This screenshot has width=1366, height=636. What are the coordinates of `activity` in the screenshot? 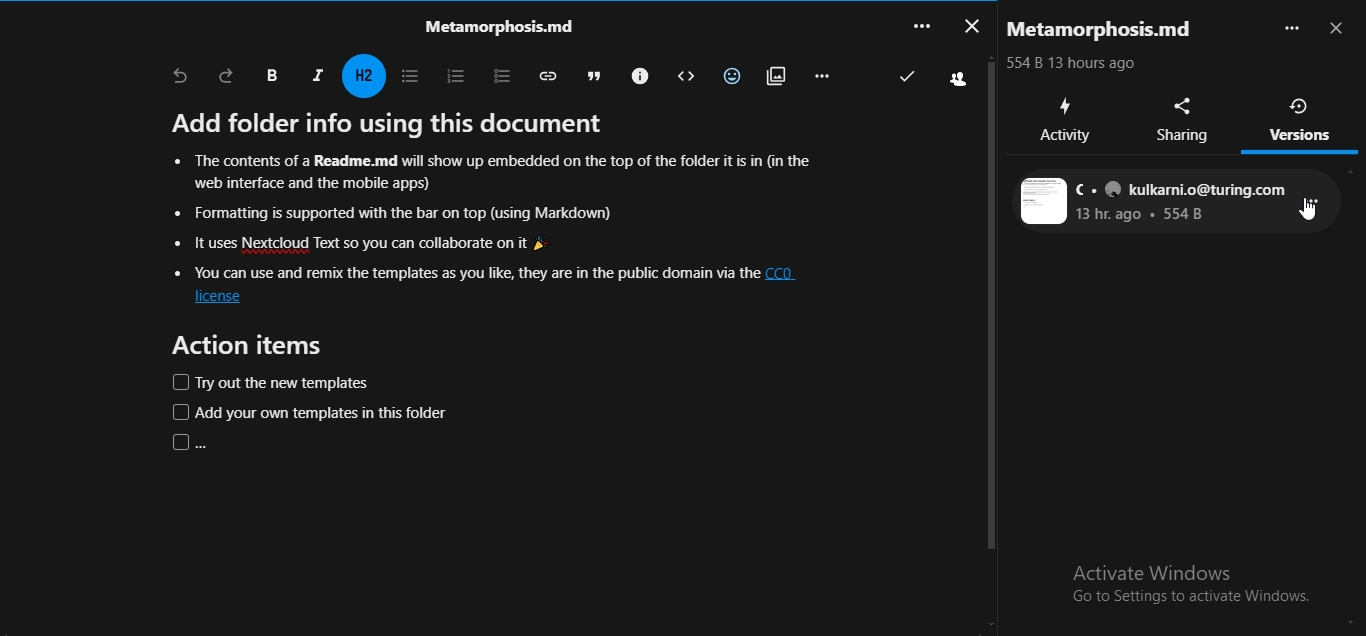 It's located at (1065, 120).